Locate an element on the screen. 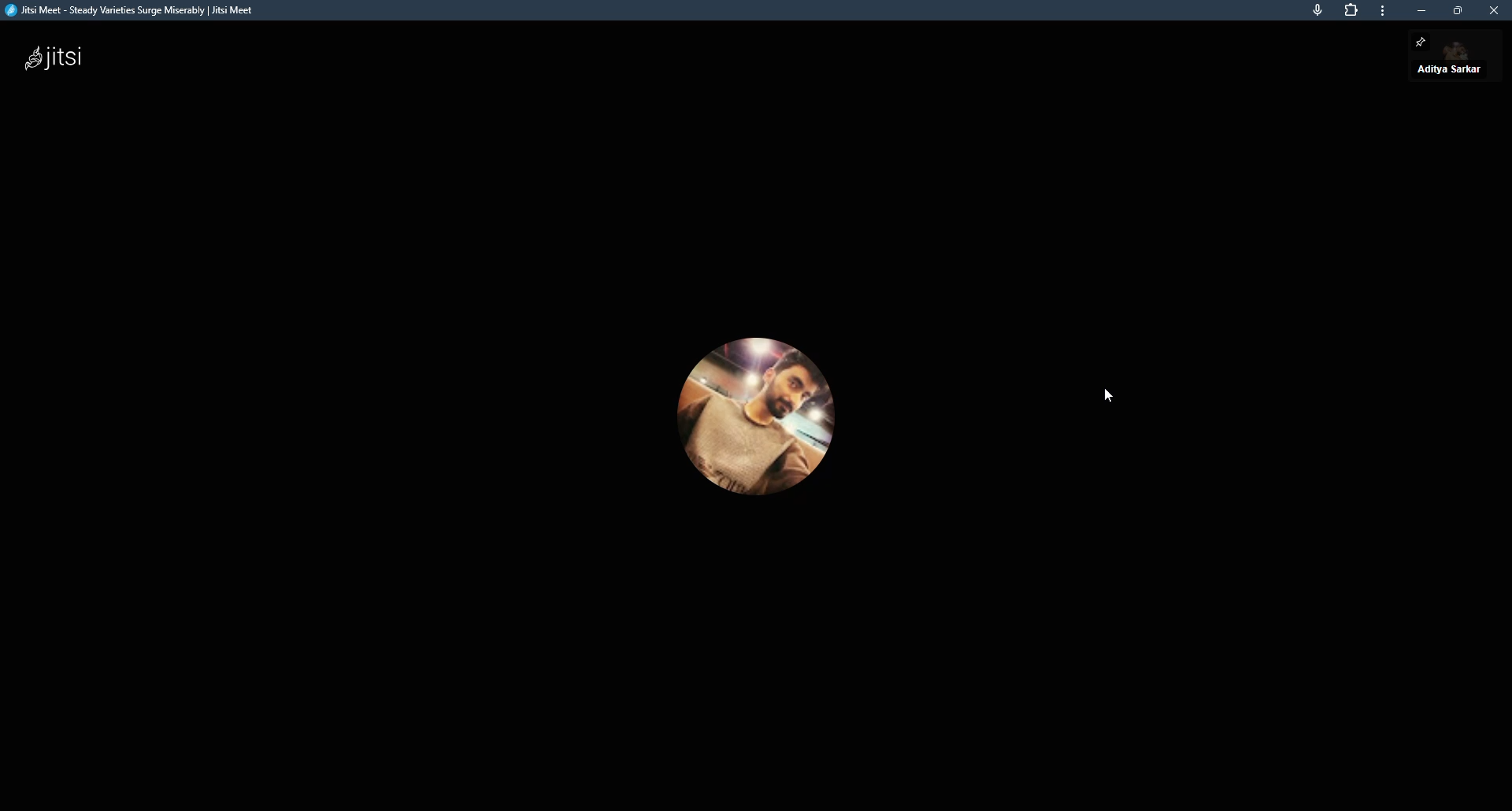 The height and width of the screenshot is (811, 1512). jitsi meet is located at coordinates (135, 13).